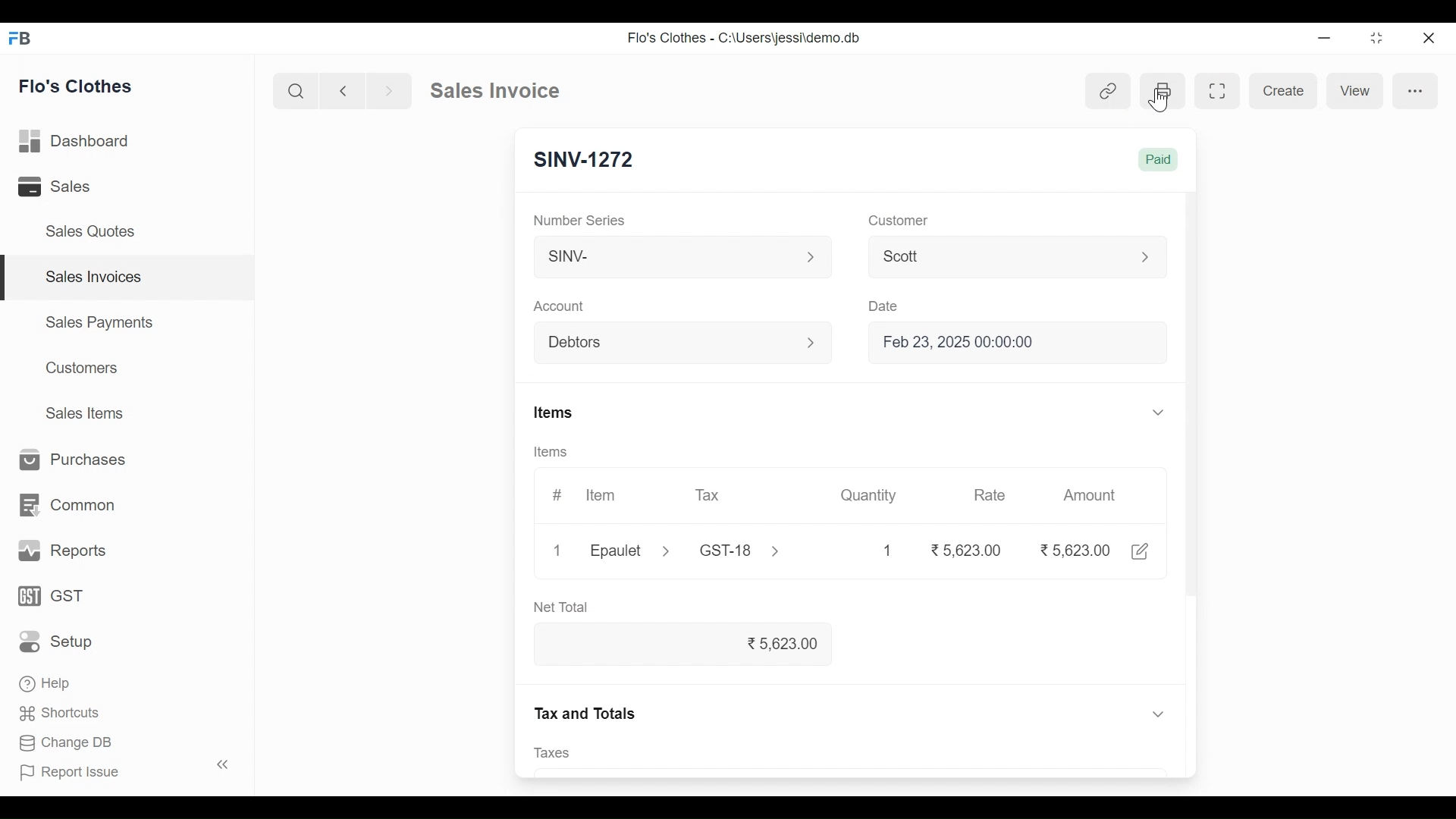 This screenshot has width=1456, height=819. Describe the element at coordinates (812, 256) in the screenshot. I see `Expand` at that location.